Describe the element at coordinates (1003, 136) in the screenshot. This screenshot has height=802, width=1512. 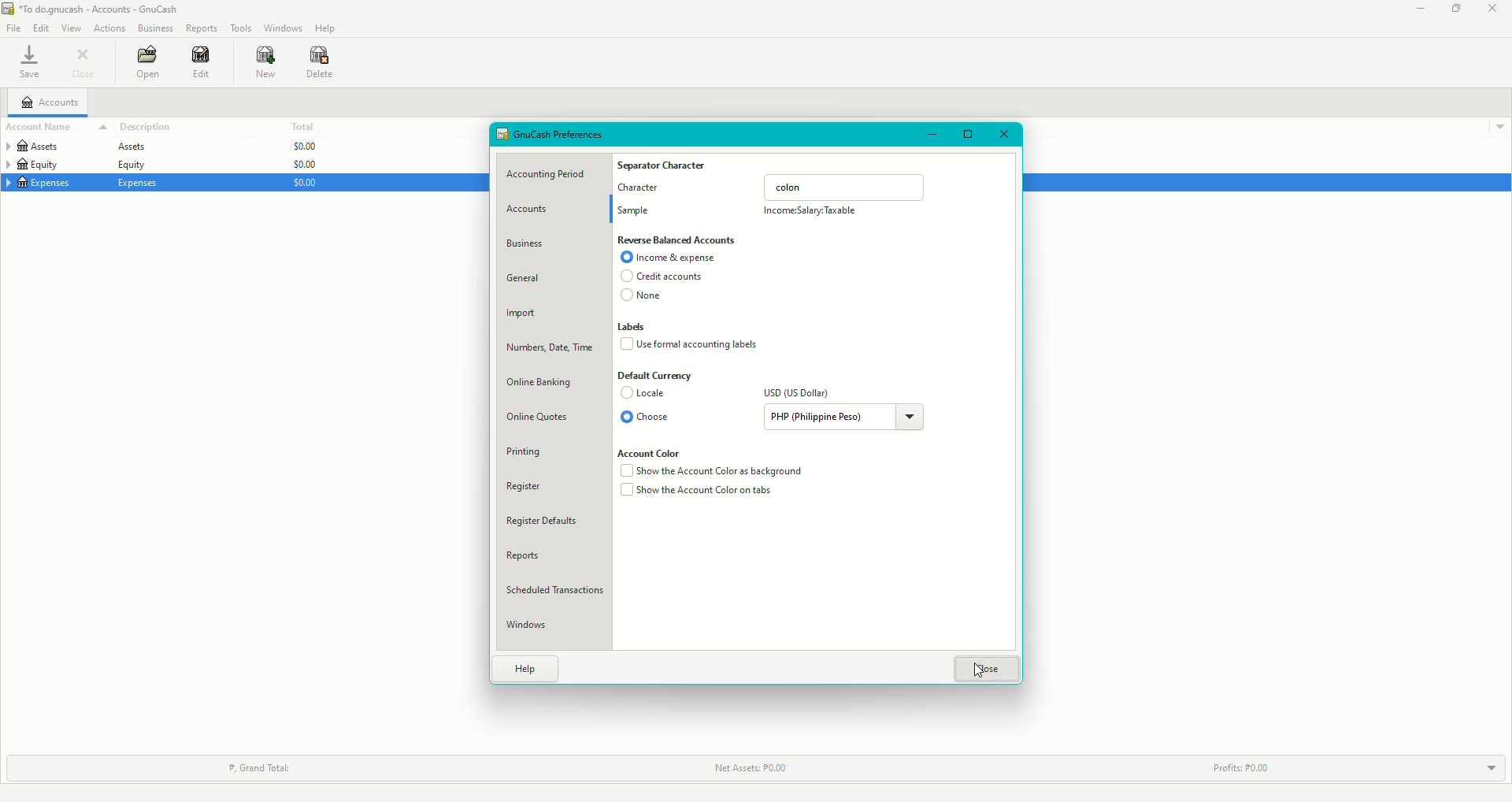
I see `Close` at that location.